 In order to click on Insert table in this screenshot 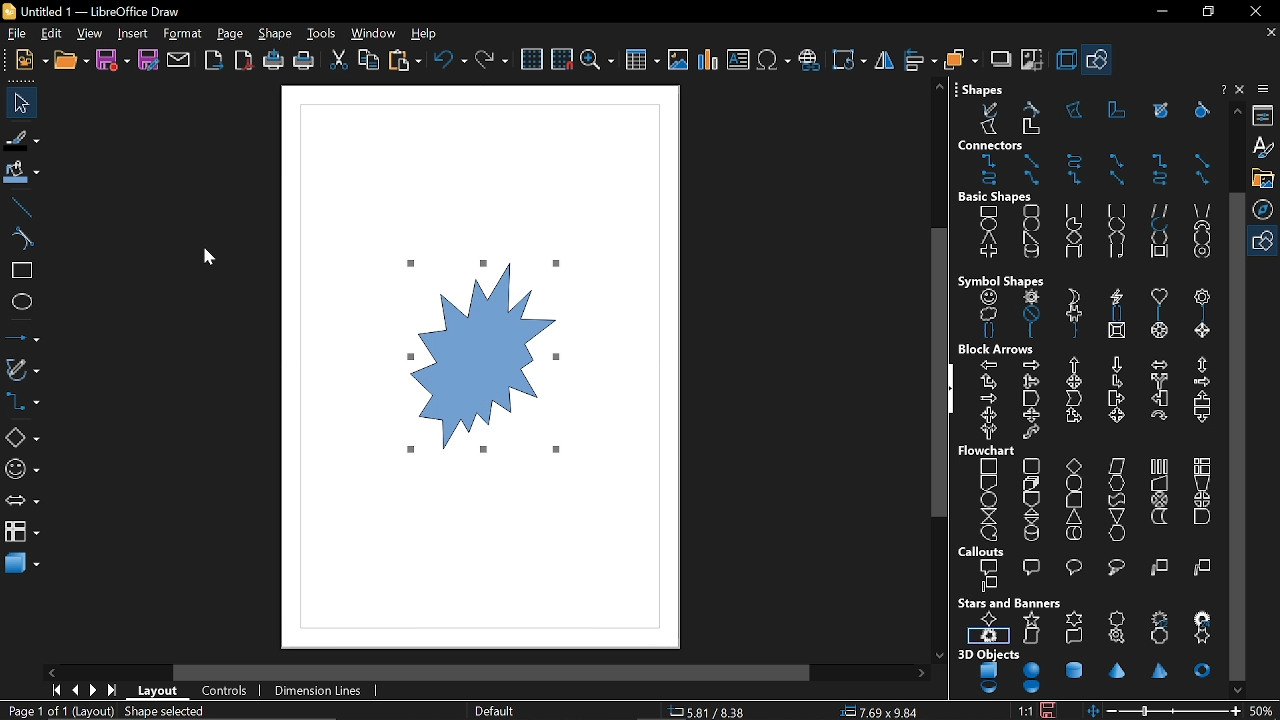, I will do `click(641, 62)`.